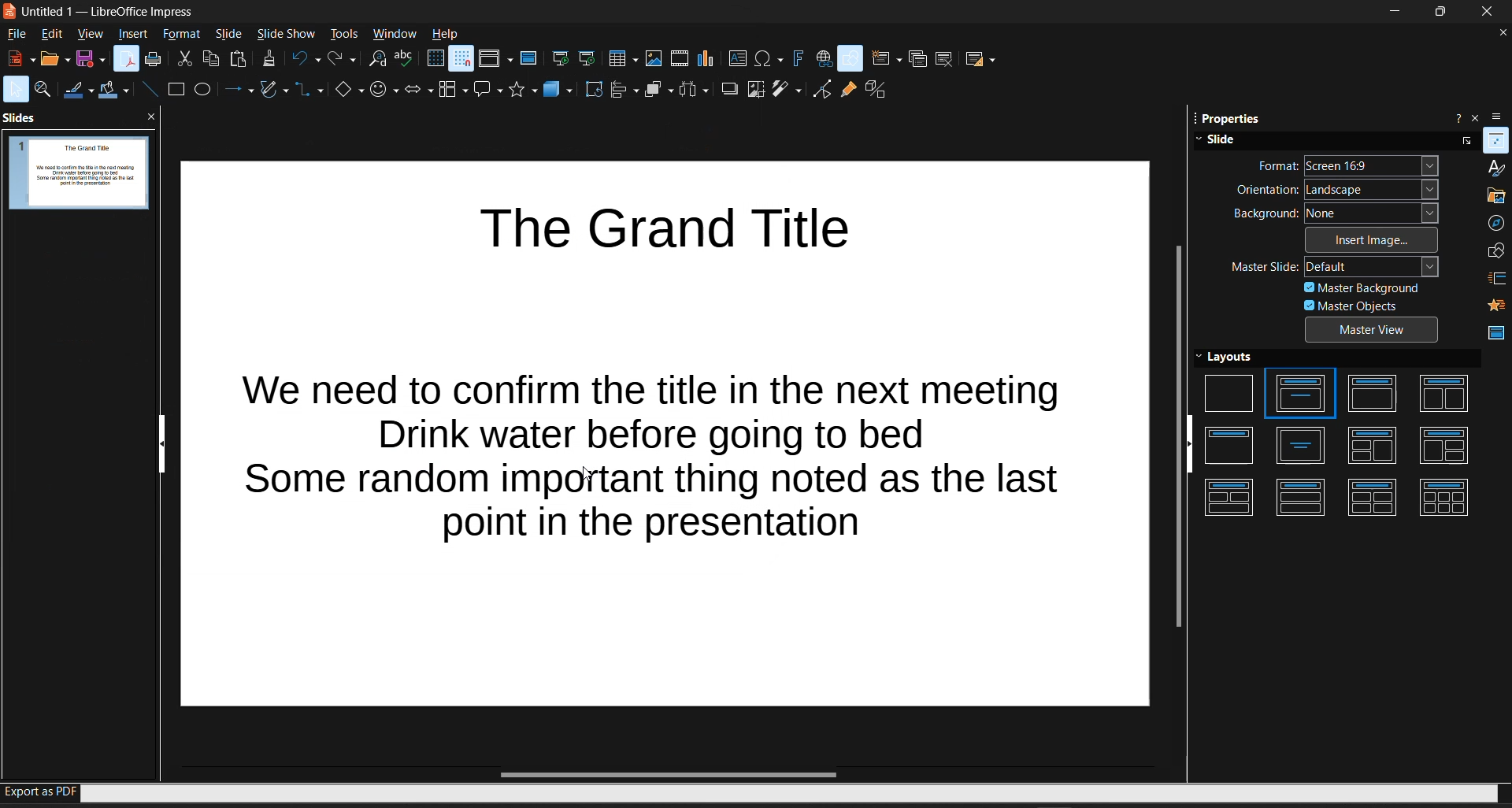  Describe the element at coordinates (850, 57) in the screenshot. I see `show draw functions` at that location.